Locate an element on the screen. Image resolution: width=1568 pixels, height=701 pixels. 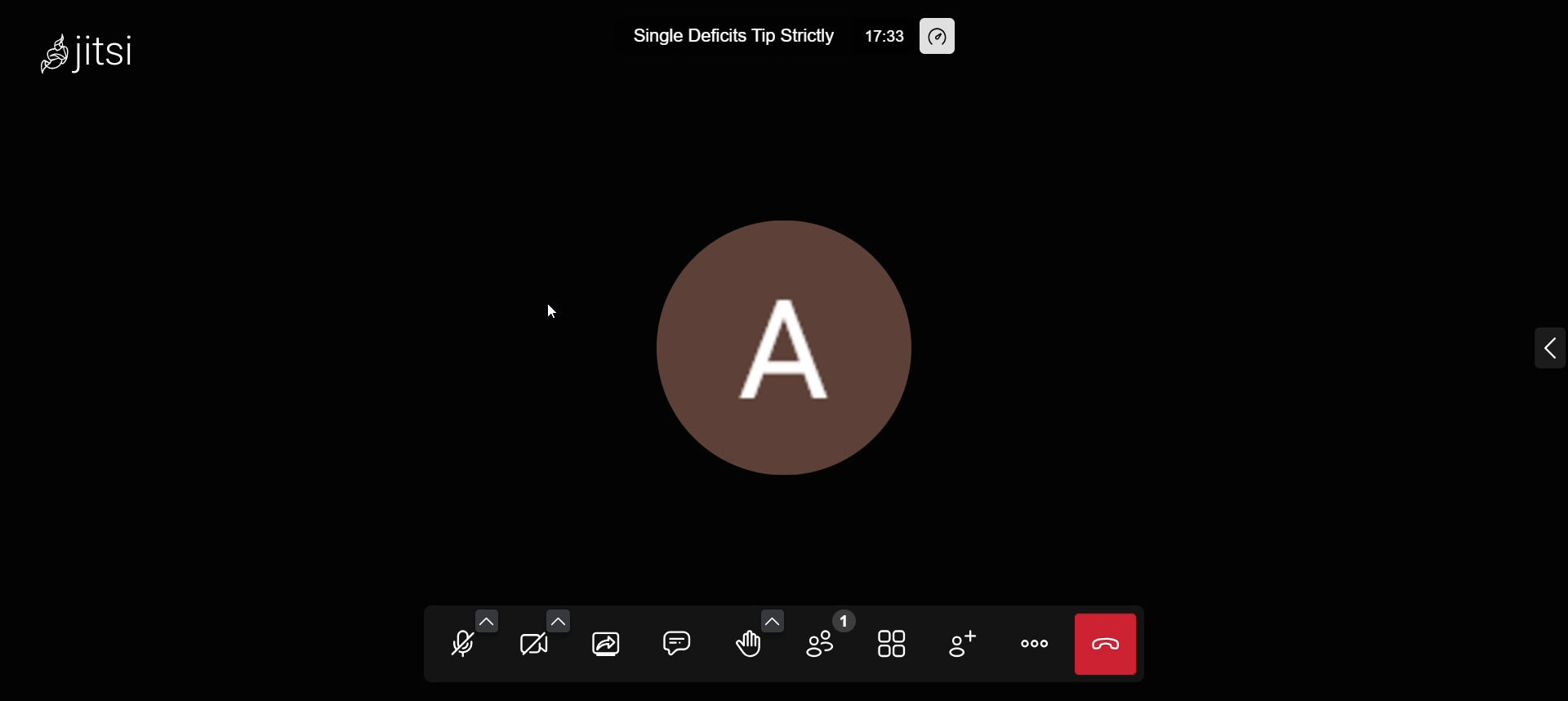
invite people is located at coordinates (964, 649).